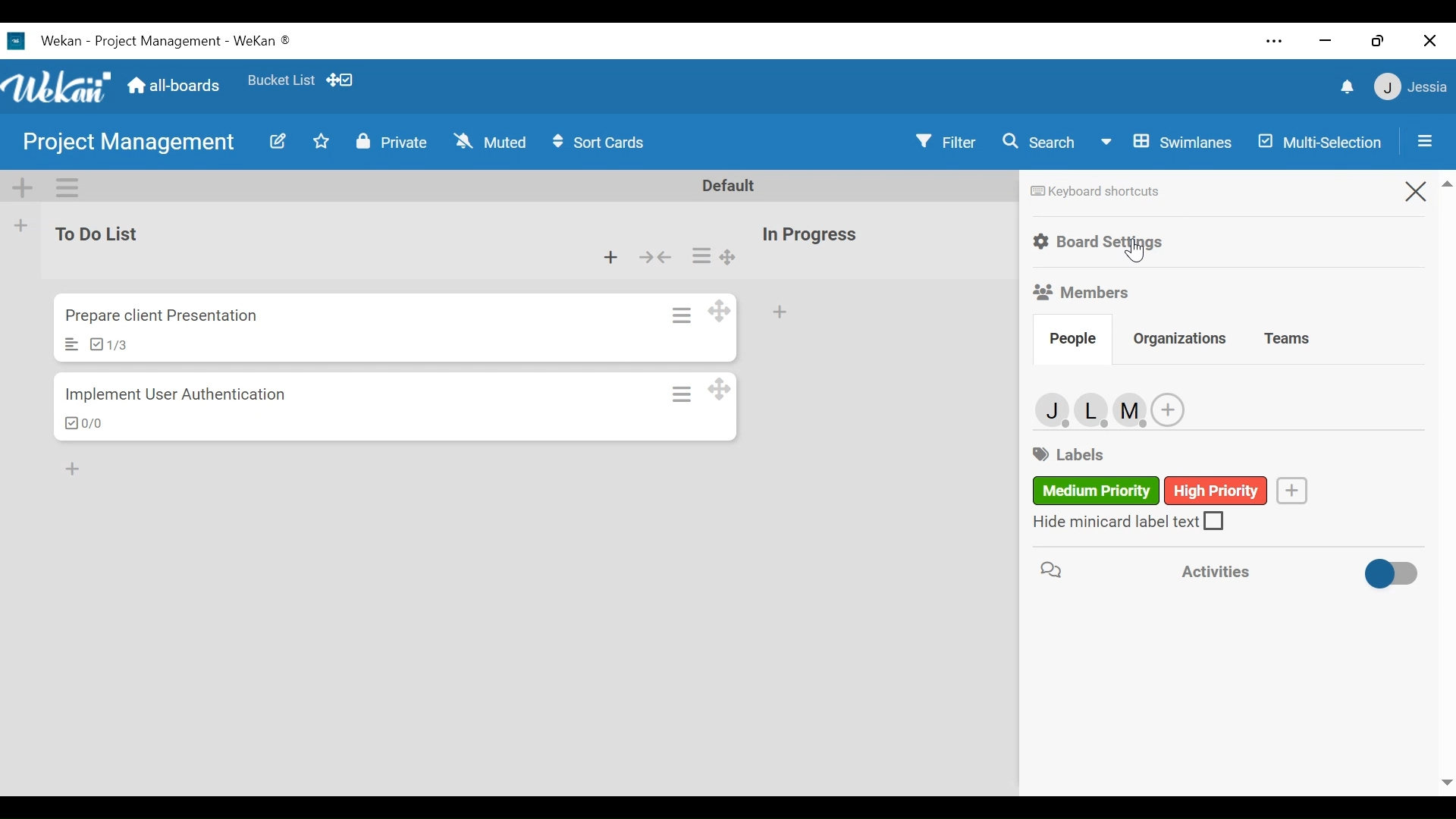 The image size is (1456, 819). Describe the element at coordinates (344, 80) in the screenshot. I see `Show Desktop drag handles` at that location.